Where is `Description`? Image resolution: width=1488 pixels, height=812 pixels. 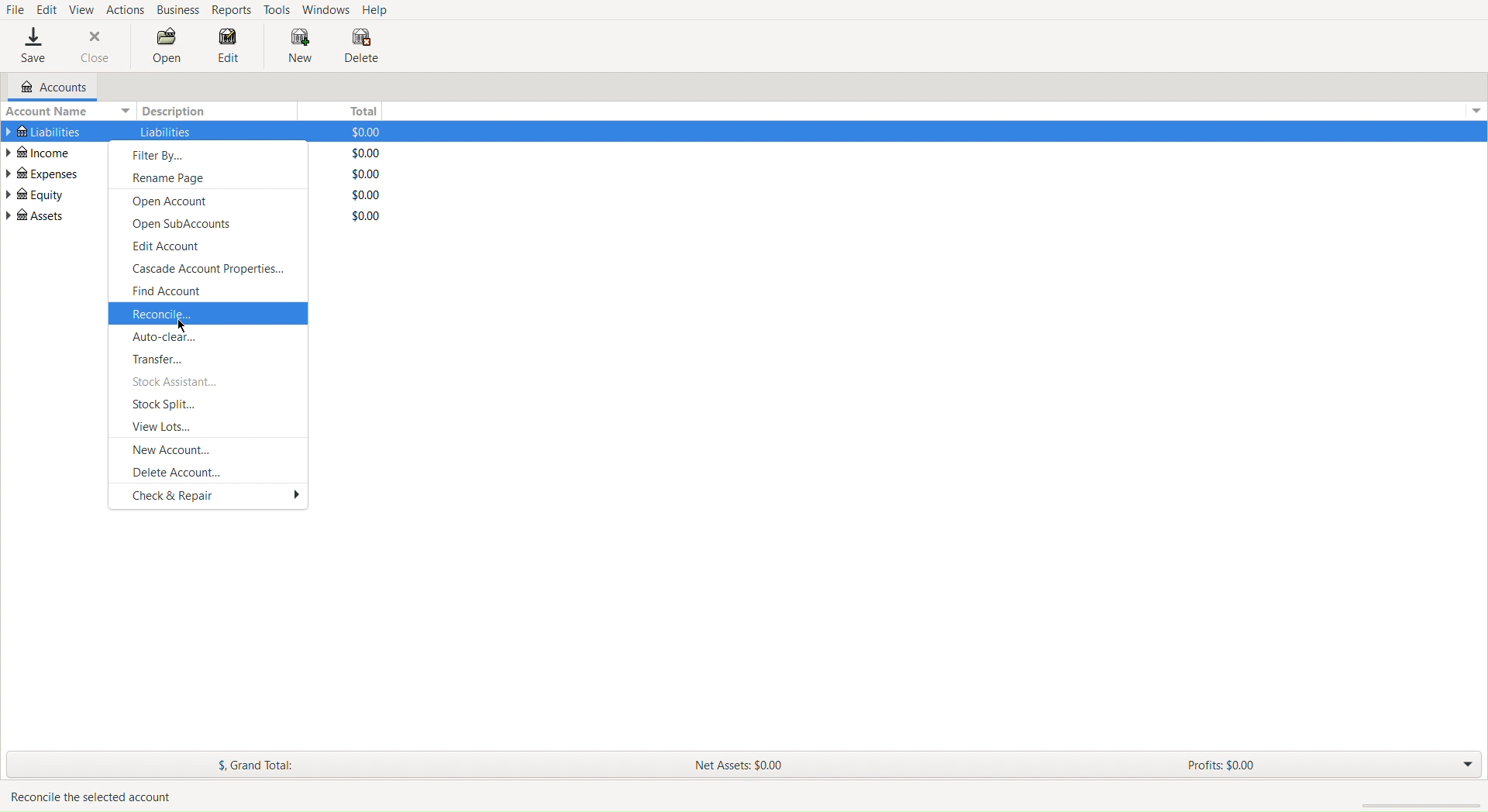
Description is located at coordinates (174, 112).